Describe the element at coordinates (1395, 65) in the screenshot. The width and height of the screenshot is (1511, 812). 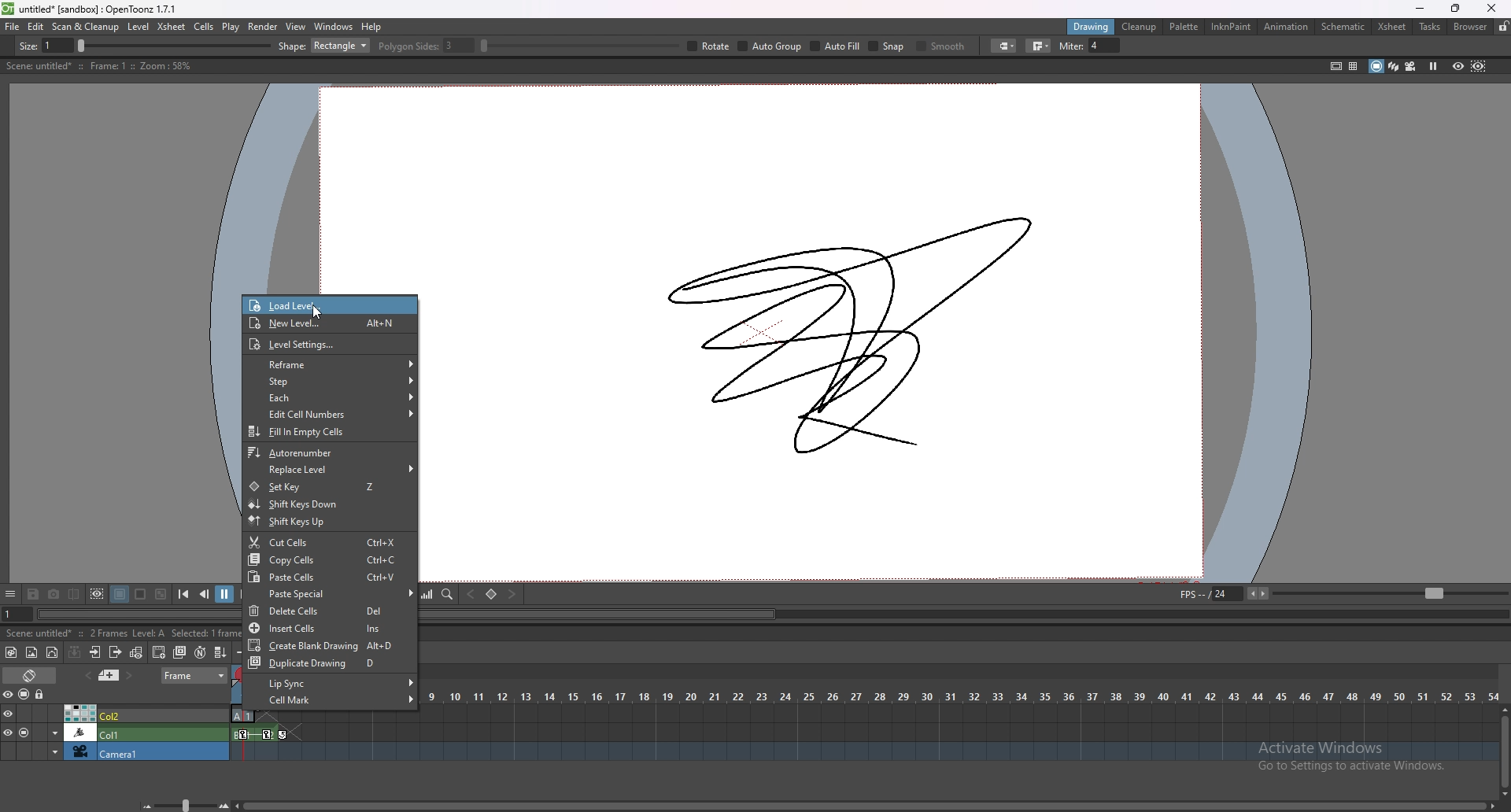
I see `3d view` at that location.